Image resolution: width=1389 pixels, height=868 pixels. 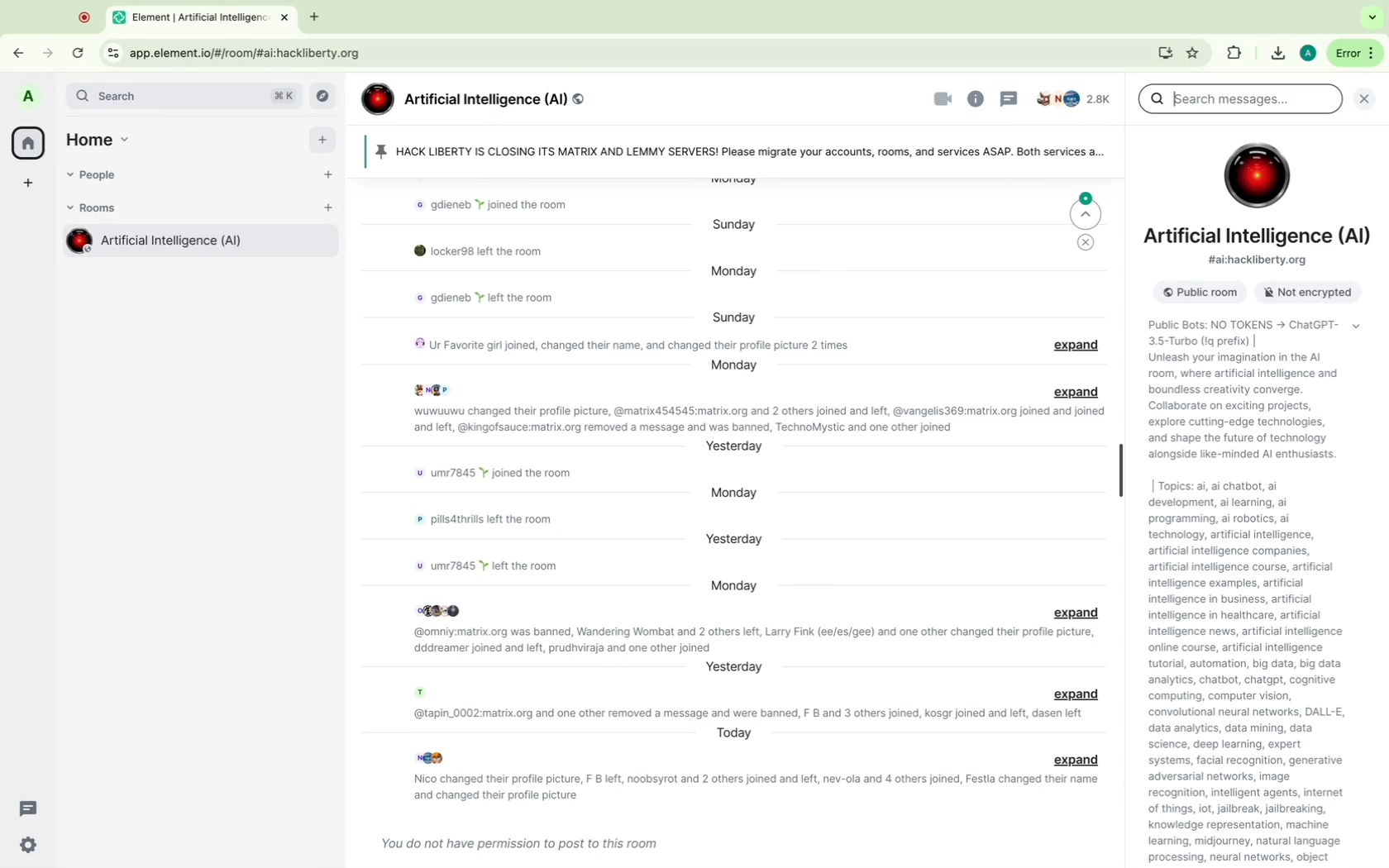 What do you see at coordinates (747, 712) in the screenshot?
I see `message` at bounding box center [747, 712].